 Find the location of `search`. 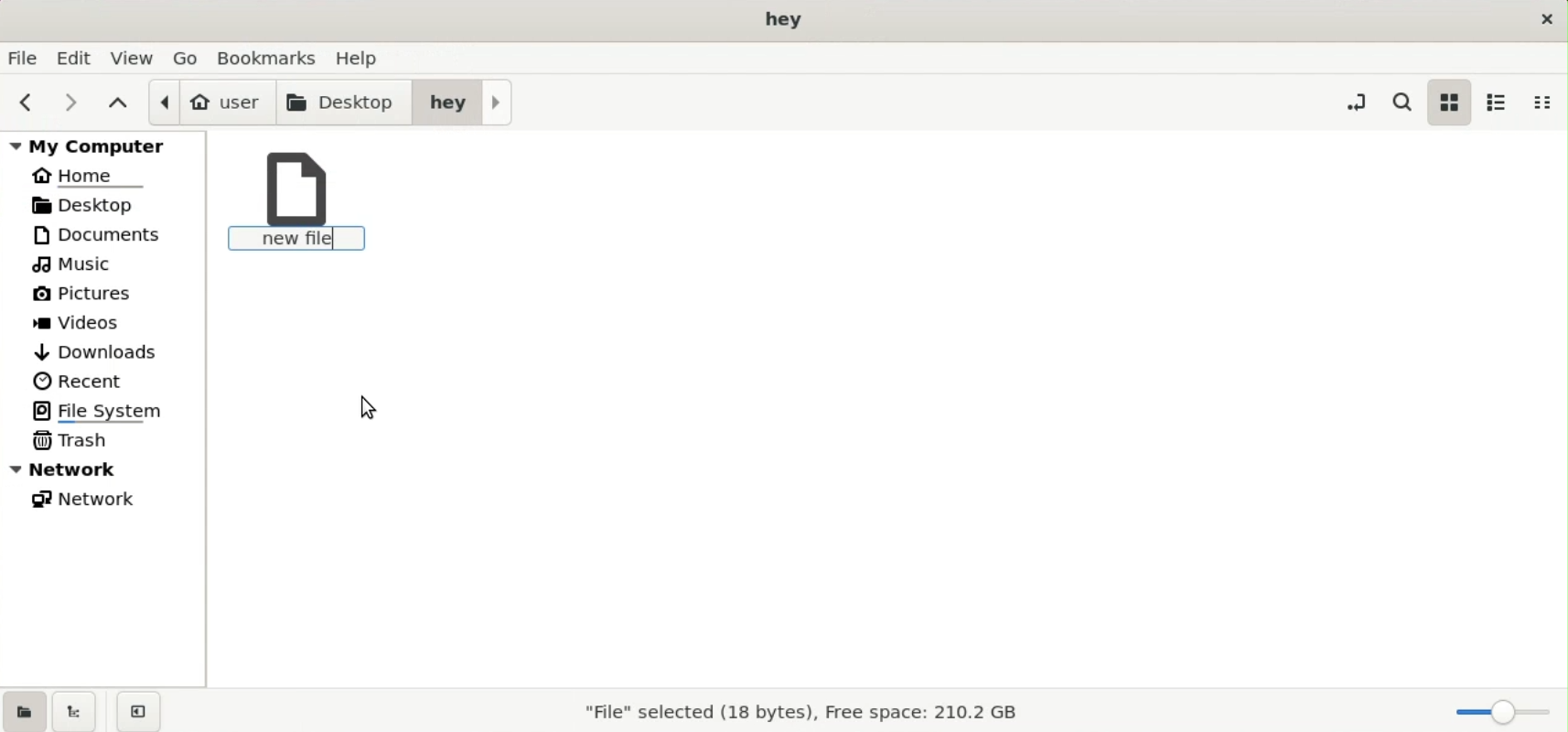

search is located at coordinates (1406, 102).